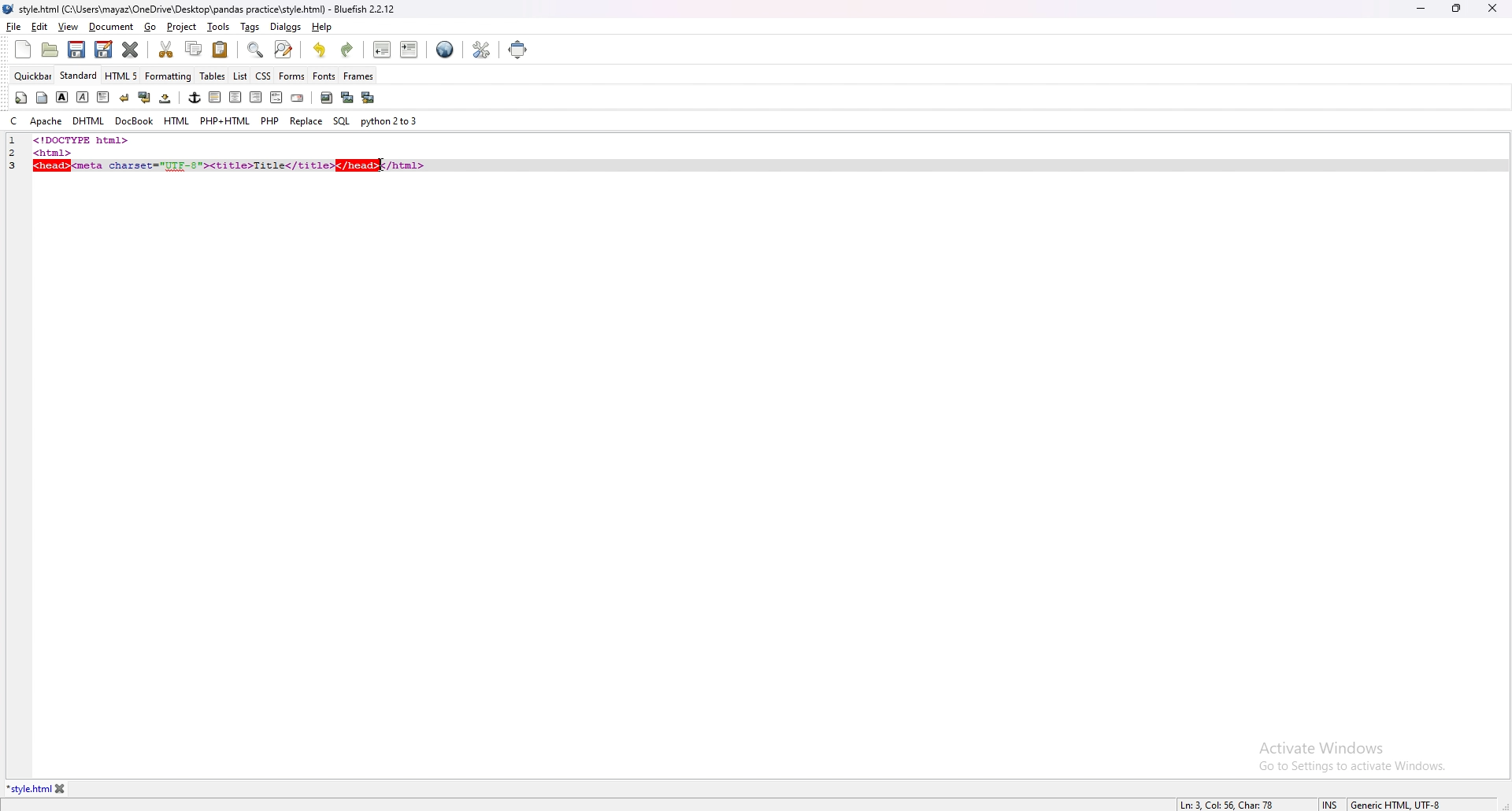 This screenshot has width=1512, height=811. What do you see at coordinates (1421, 9) in the screenshot?
I see `minimize` at bounding box center [1421, 9].